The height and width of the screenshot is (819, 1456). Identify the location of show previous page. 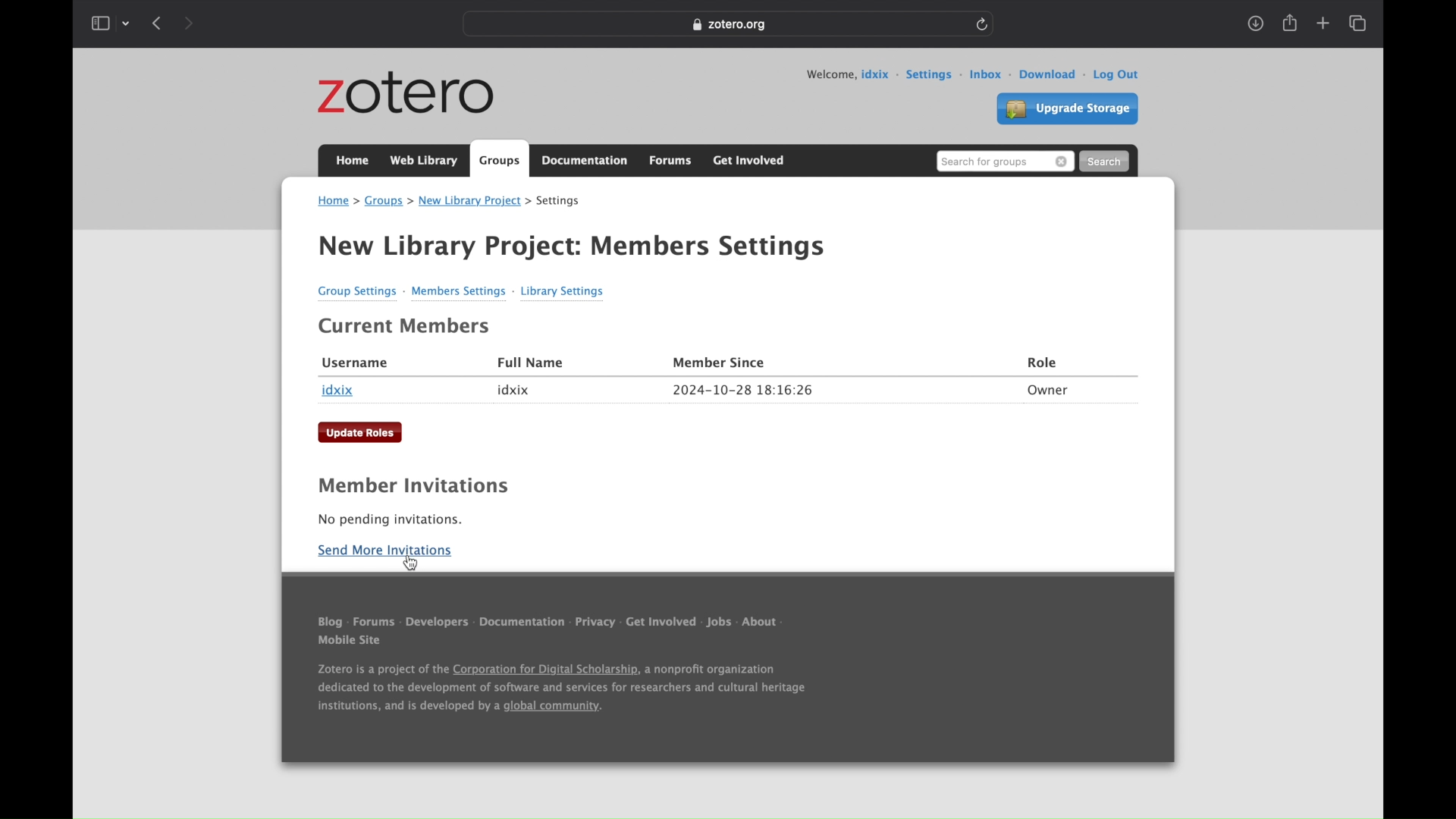
(158, 24).